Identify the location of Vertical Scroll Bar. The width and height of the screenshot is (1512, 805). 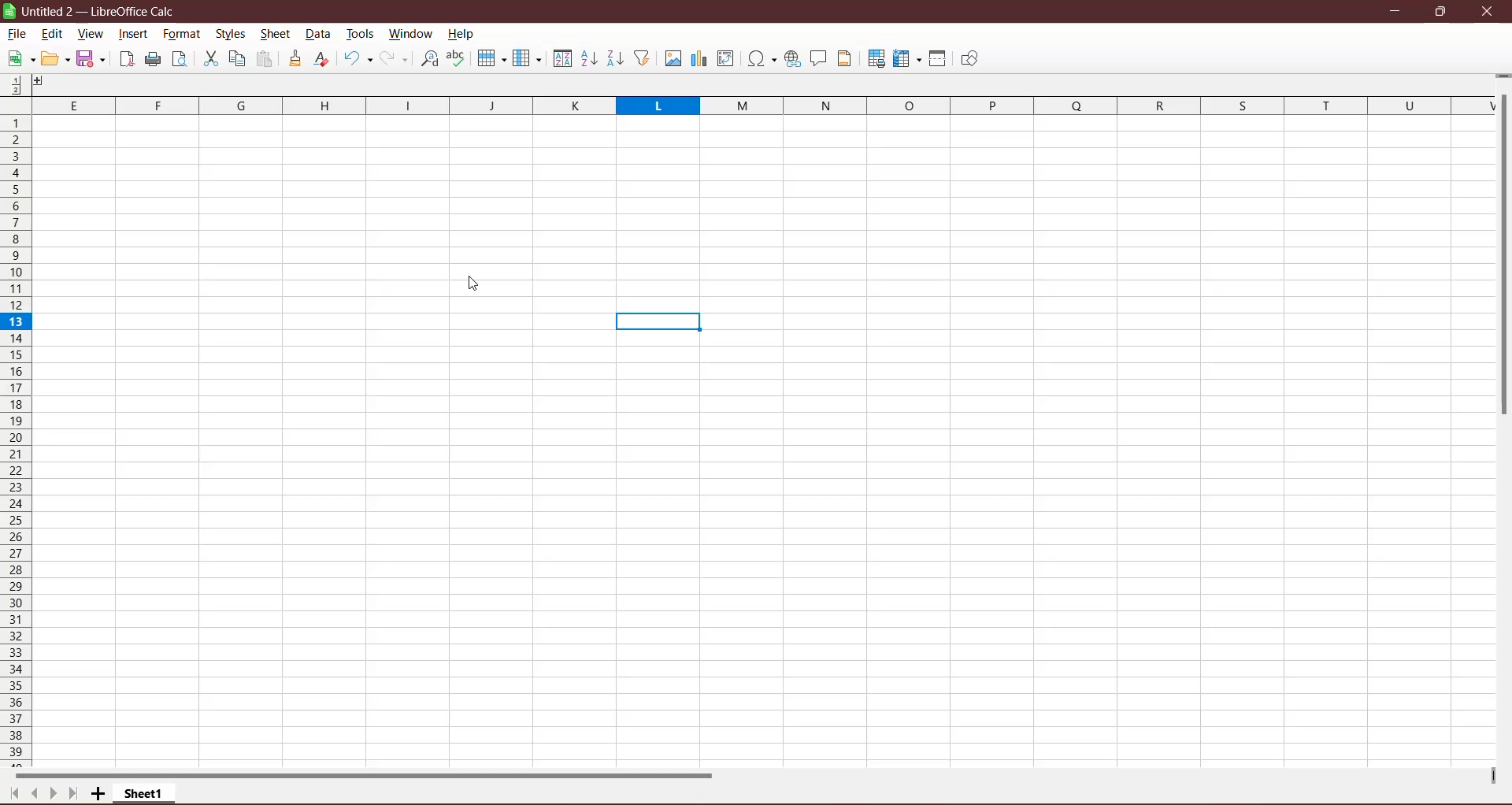
(1503, 258).